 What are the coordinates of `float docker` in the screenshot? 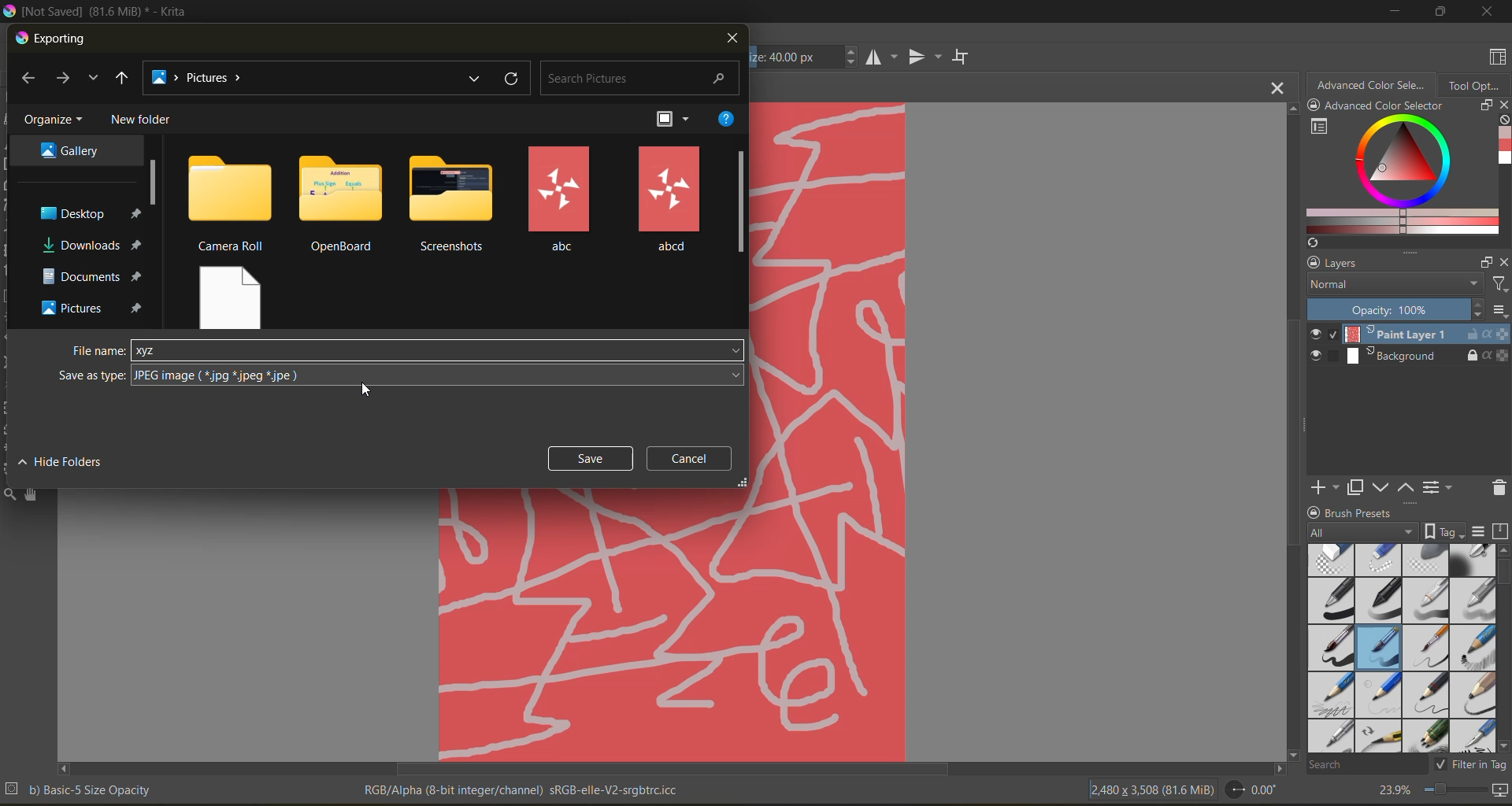 It's located at (1486, 263).